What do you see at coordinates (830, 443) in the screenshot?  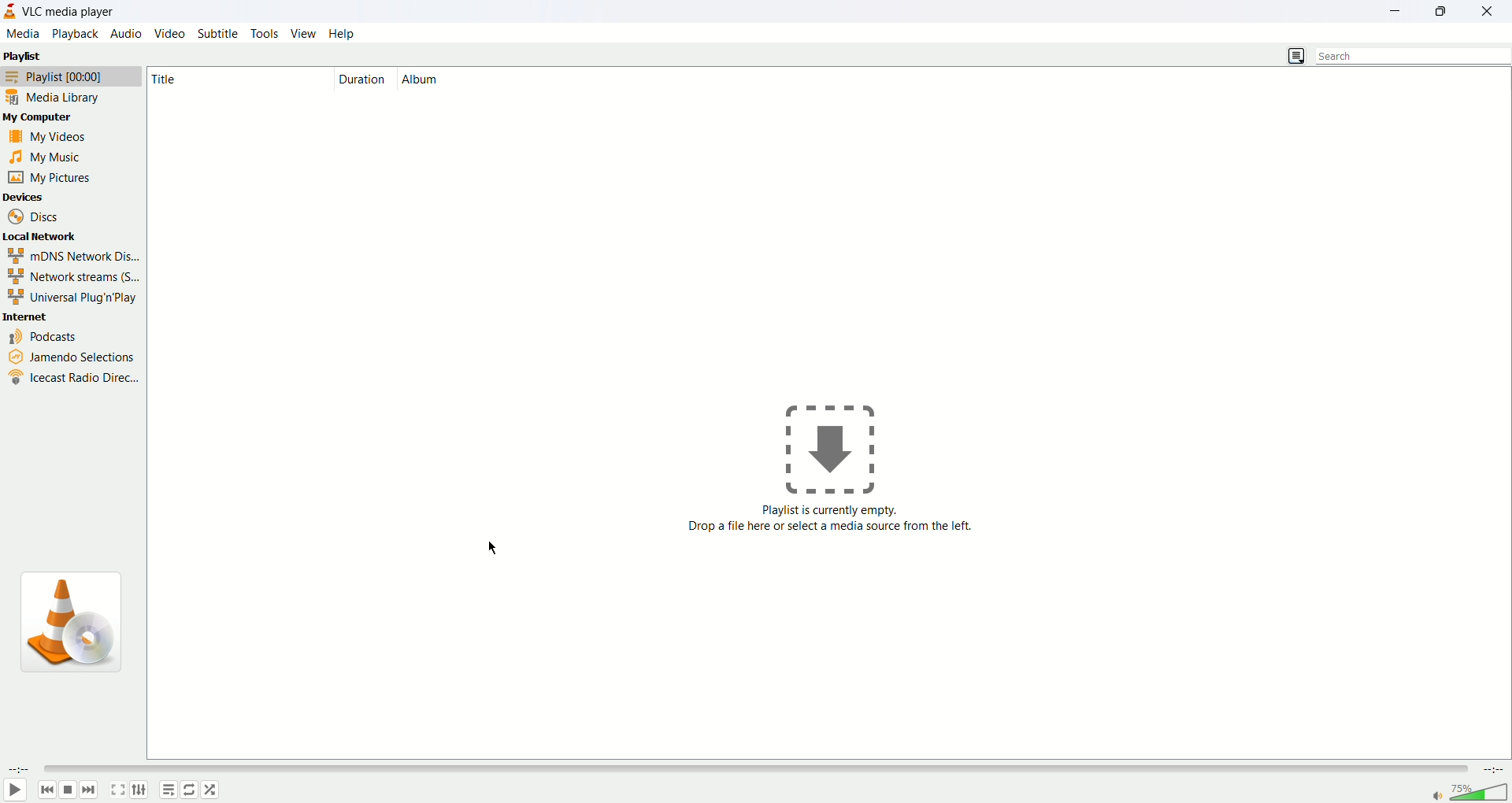 I see `icon` at bounding box center [830, 443].